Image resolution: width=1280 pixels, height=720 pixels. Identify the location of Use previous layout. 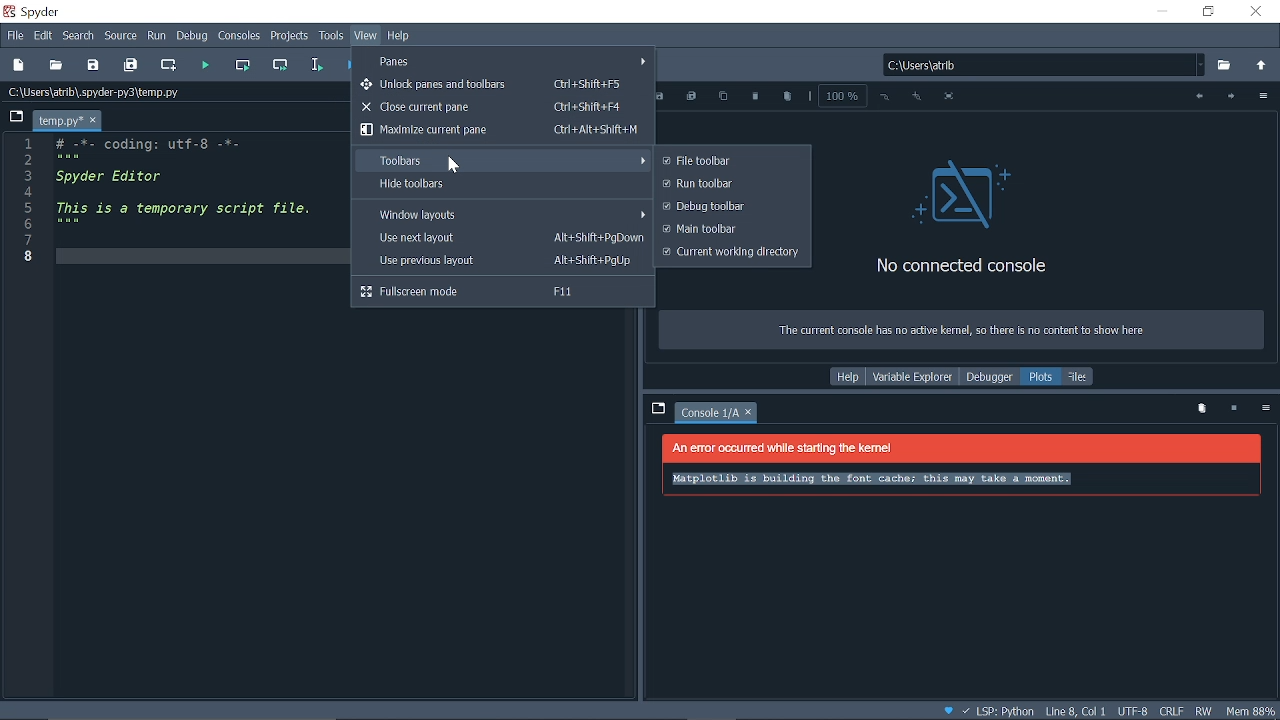
(500, 261).